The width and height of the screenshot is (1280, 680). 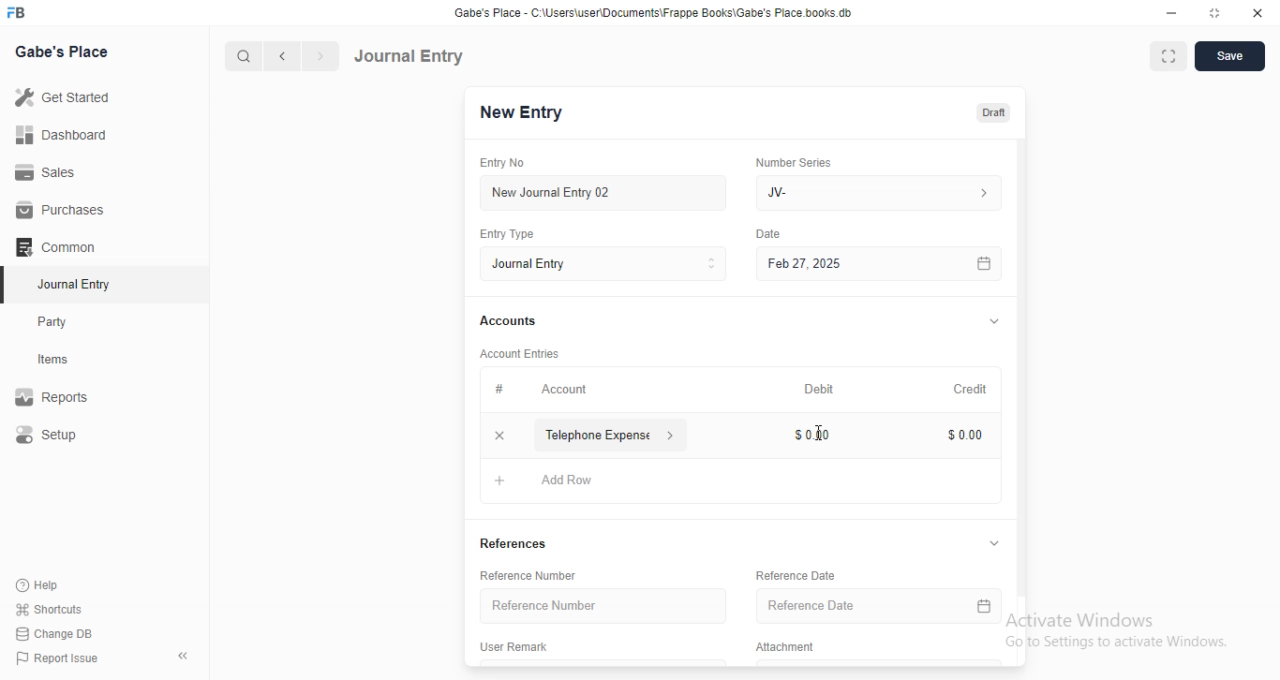 I want to click on Entry Type, so click(x=507, y=235).